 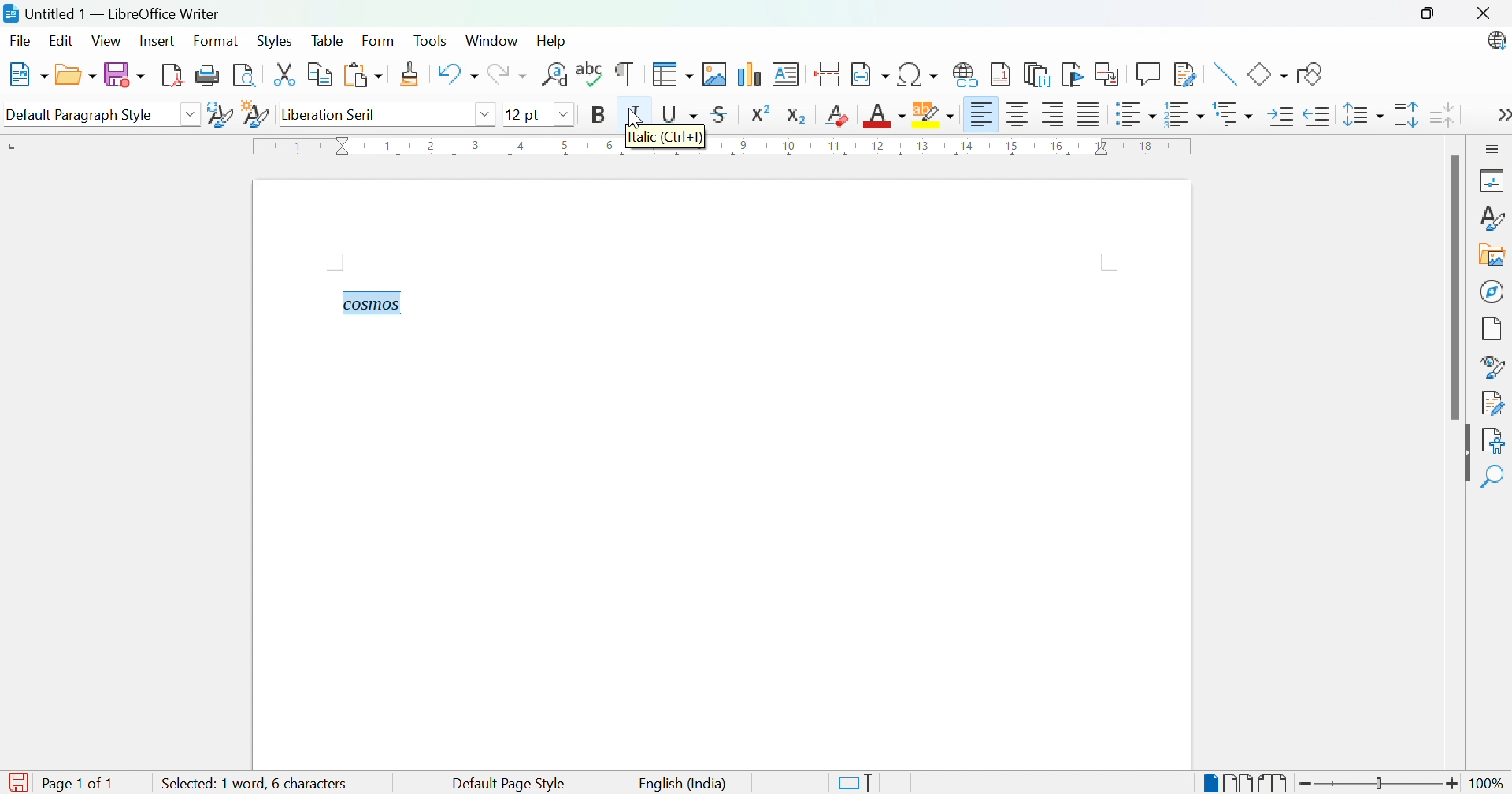 What do you see at coordinates (1492, 331) in the screenshot?
I see `Page` at bounding box center [1492, 331].